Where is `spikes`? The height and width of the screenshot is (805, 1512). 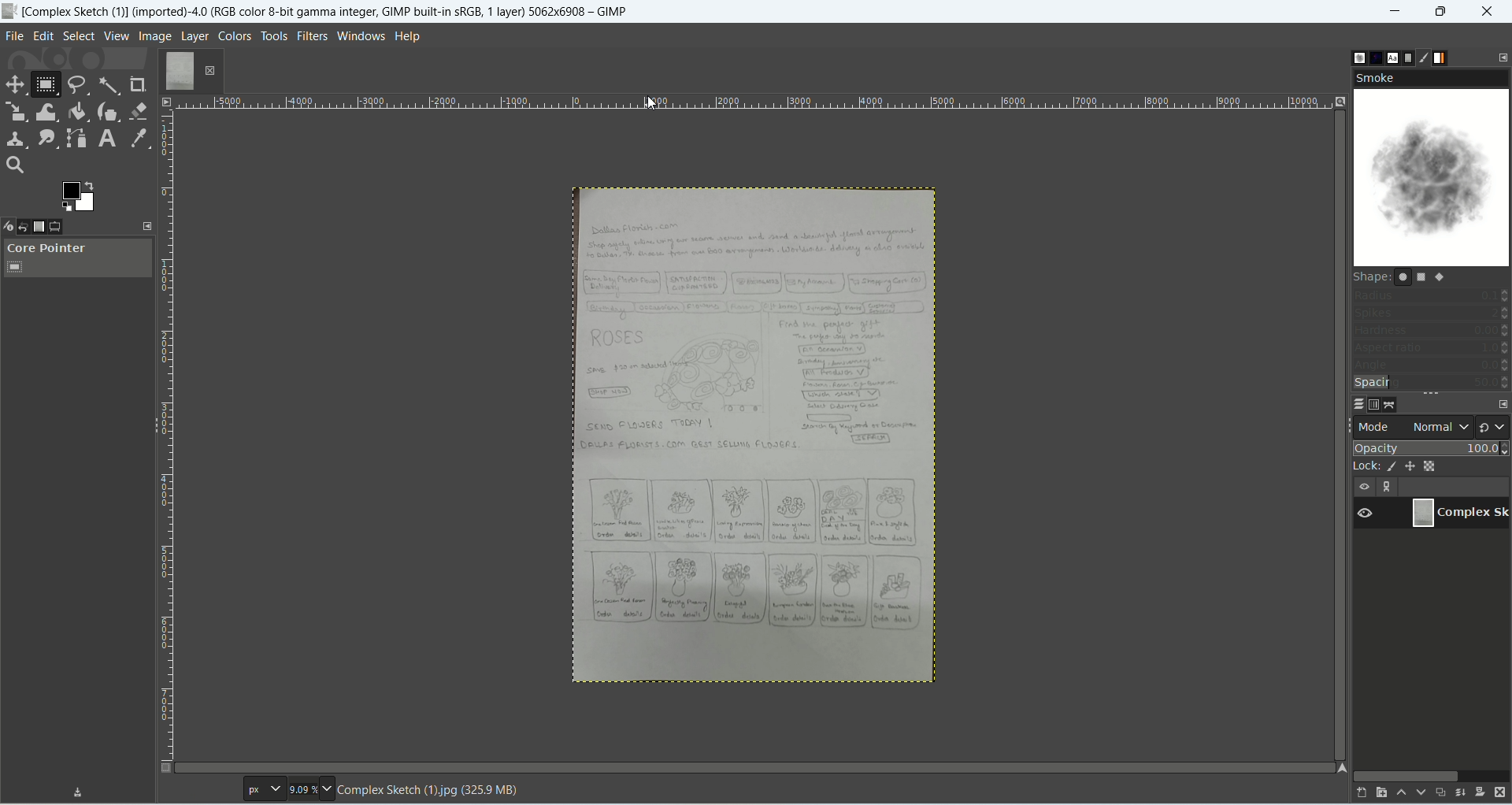
spikes is located at coordinates (1432, 311).